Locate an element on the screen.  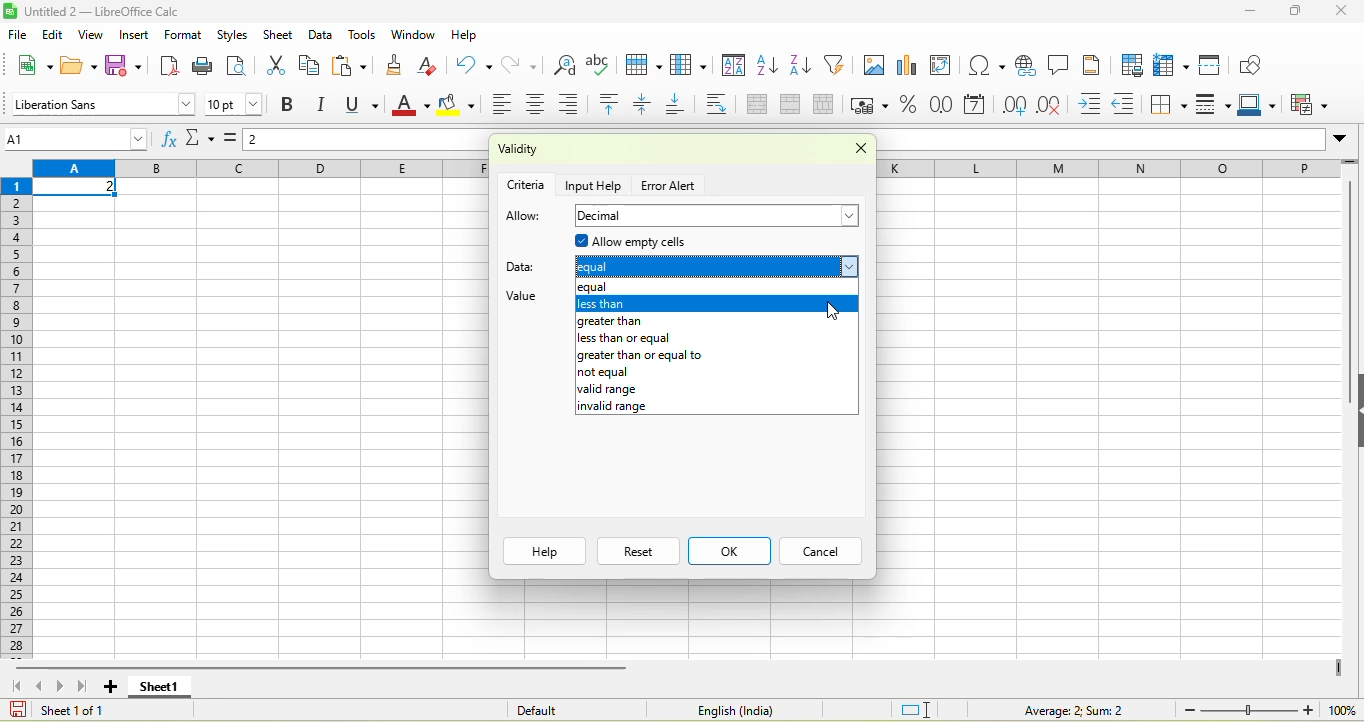
define print area is located at coordinates (1131, 65).